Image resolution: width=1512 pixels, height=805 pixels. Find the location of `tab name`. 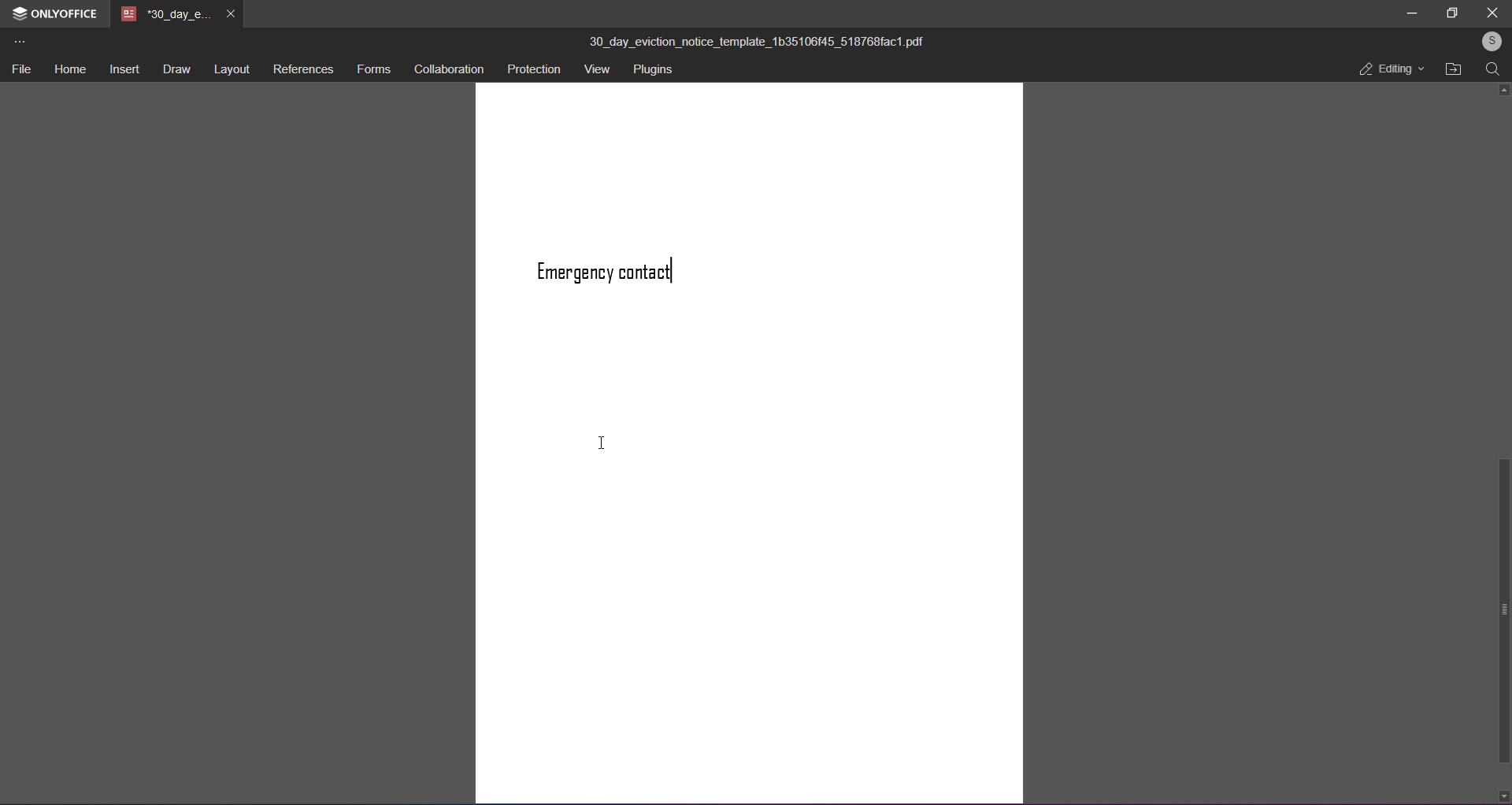

tab name is located at coordinates (165, 14).